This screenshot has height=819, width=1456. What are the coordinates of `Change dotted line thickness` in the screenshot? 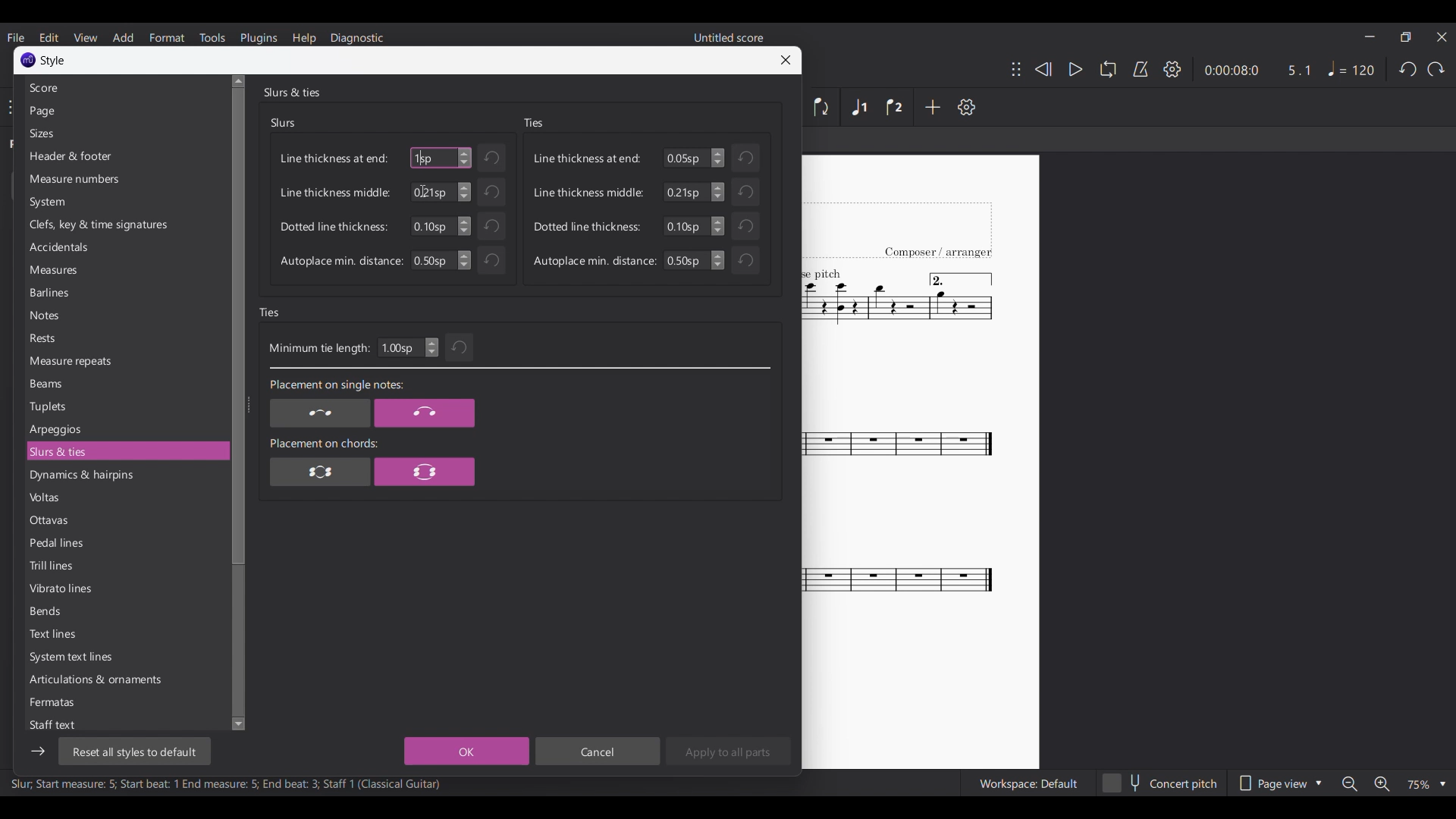 It's located at (718, 226).